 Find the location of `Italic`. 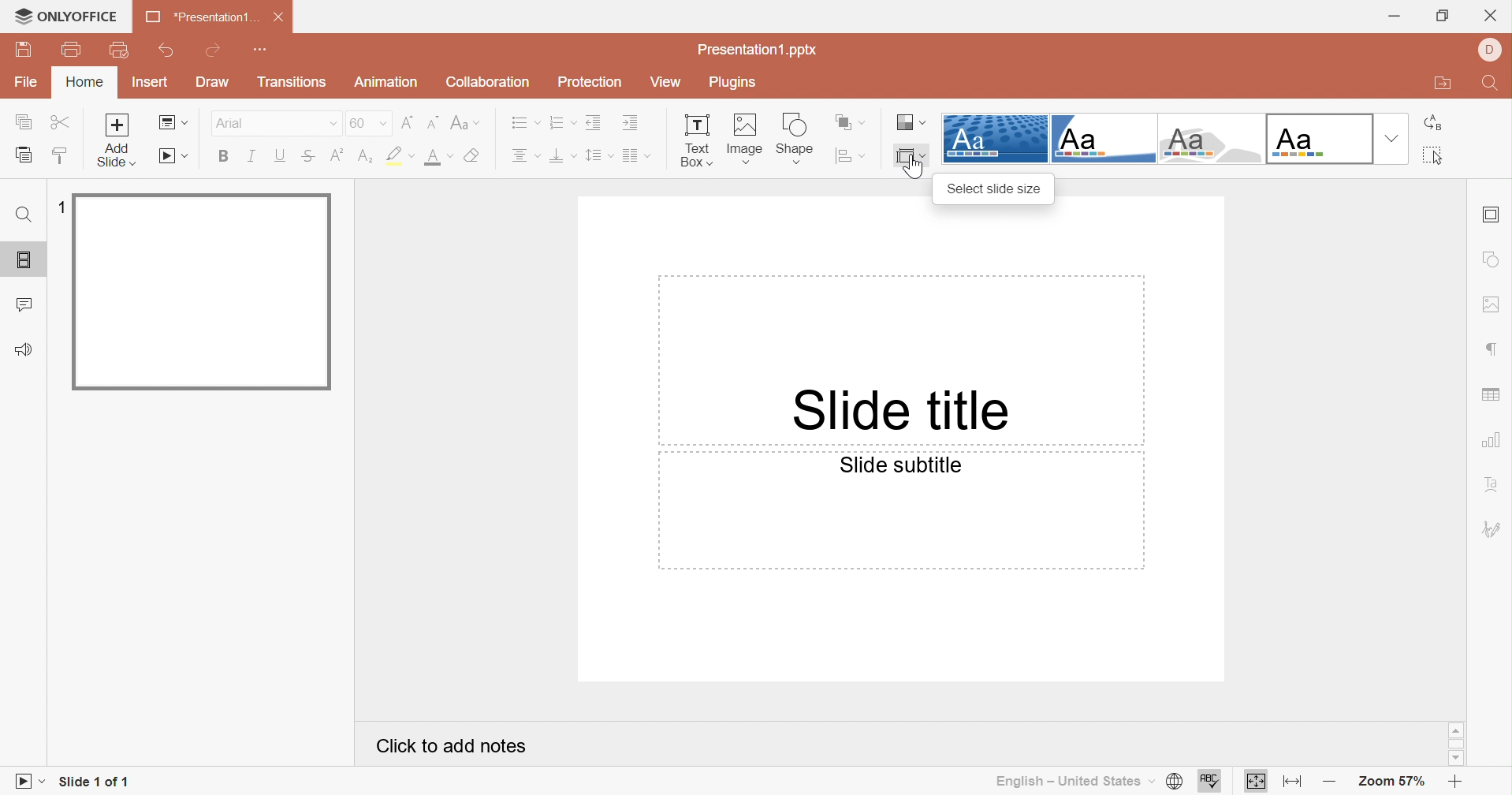

Italic is located at coordinates (253, 156).